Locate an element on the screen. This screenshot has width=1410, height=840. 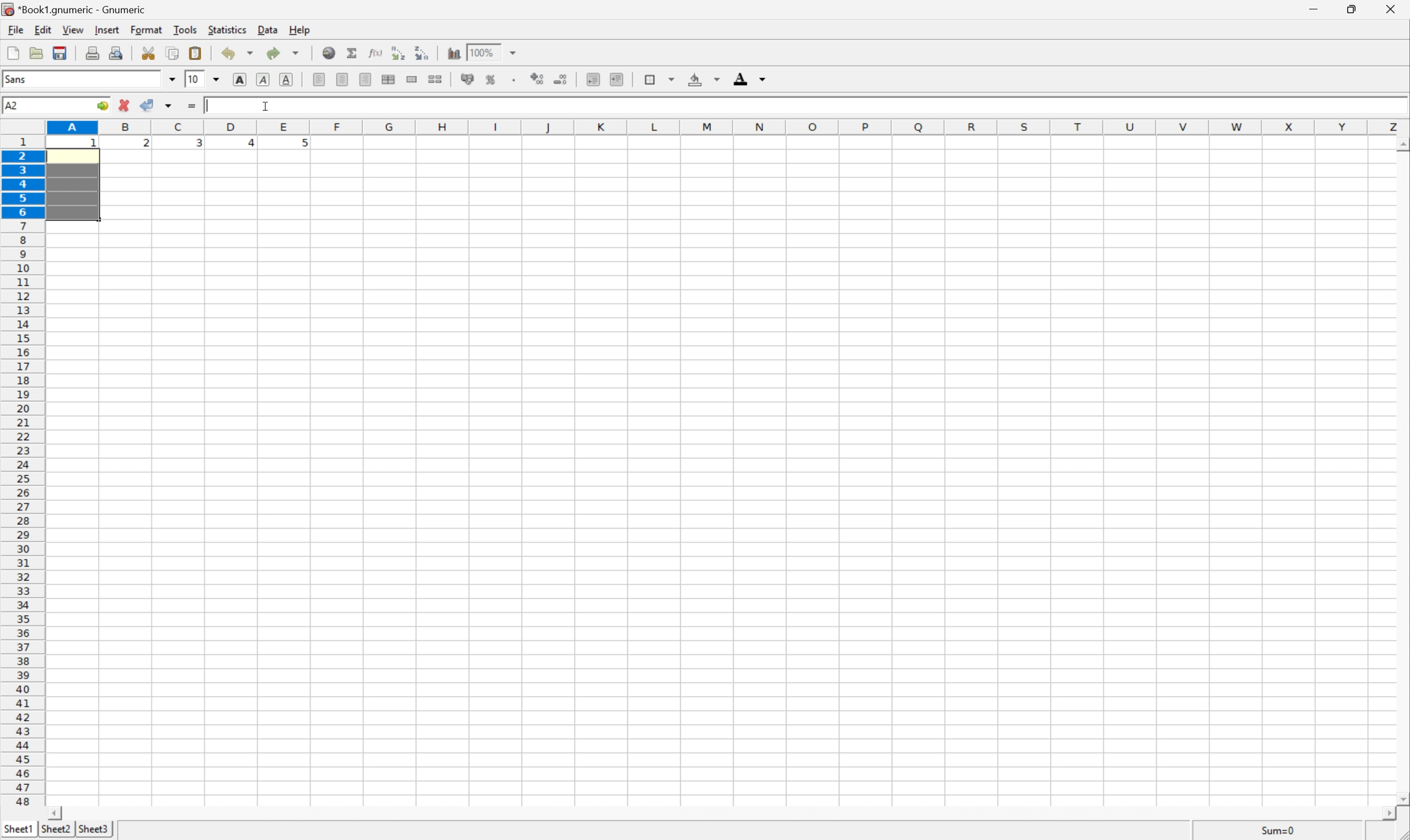
row numbers is located at coordinates (23, 471).